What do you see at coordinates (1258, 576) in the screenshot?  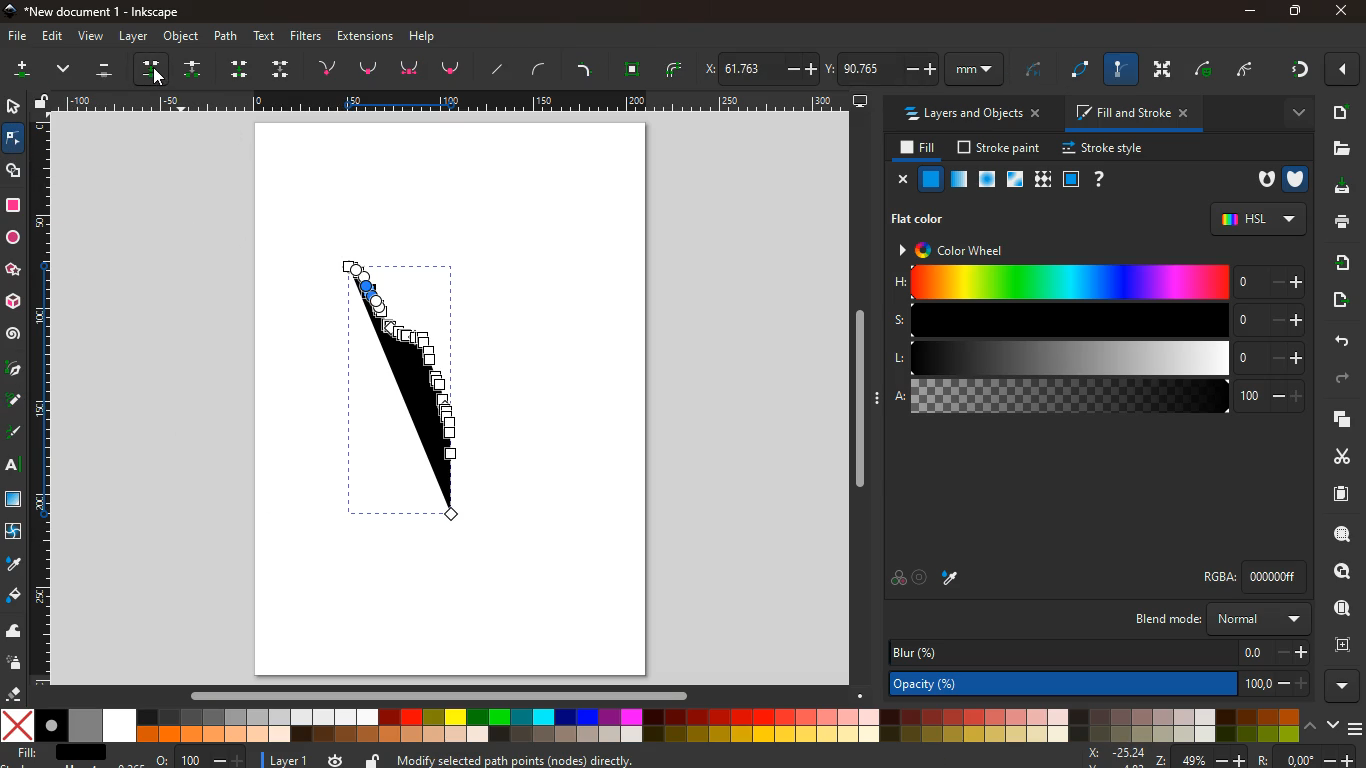 I see `rgba` at bounding box center [1258, 576].